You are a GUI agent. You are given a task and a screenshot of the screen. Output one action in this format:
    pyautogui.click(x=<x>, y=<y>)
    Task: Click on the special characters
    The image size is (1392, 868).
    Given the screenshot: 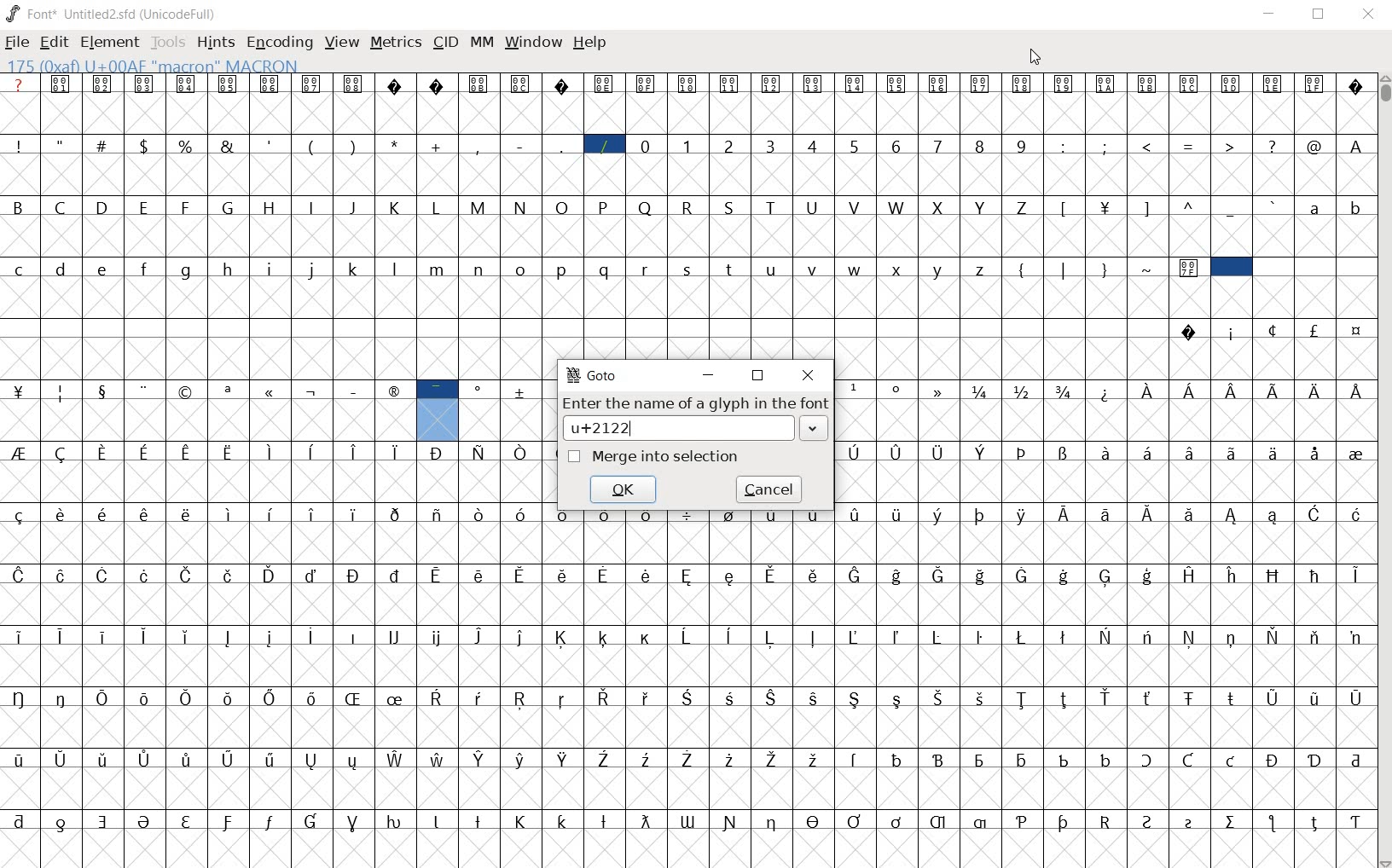 What is the action you would take?
    pyautogui.click(x=299, y=412)
    